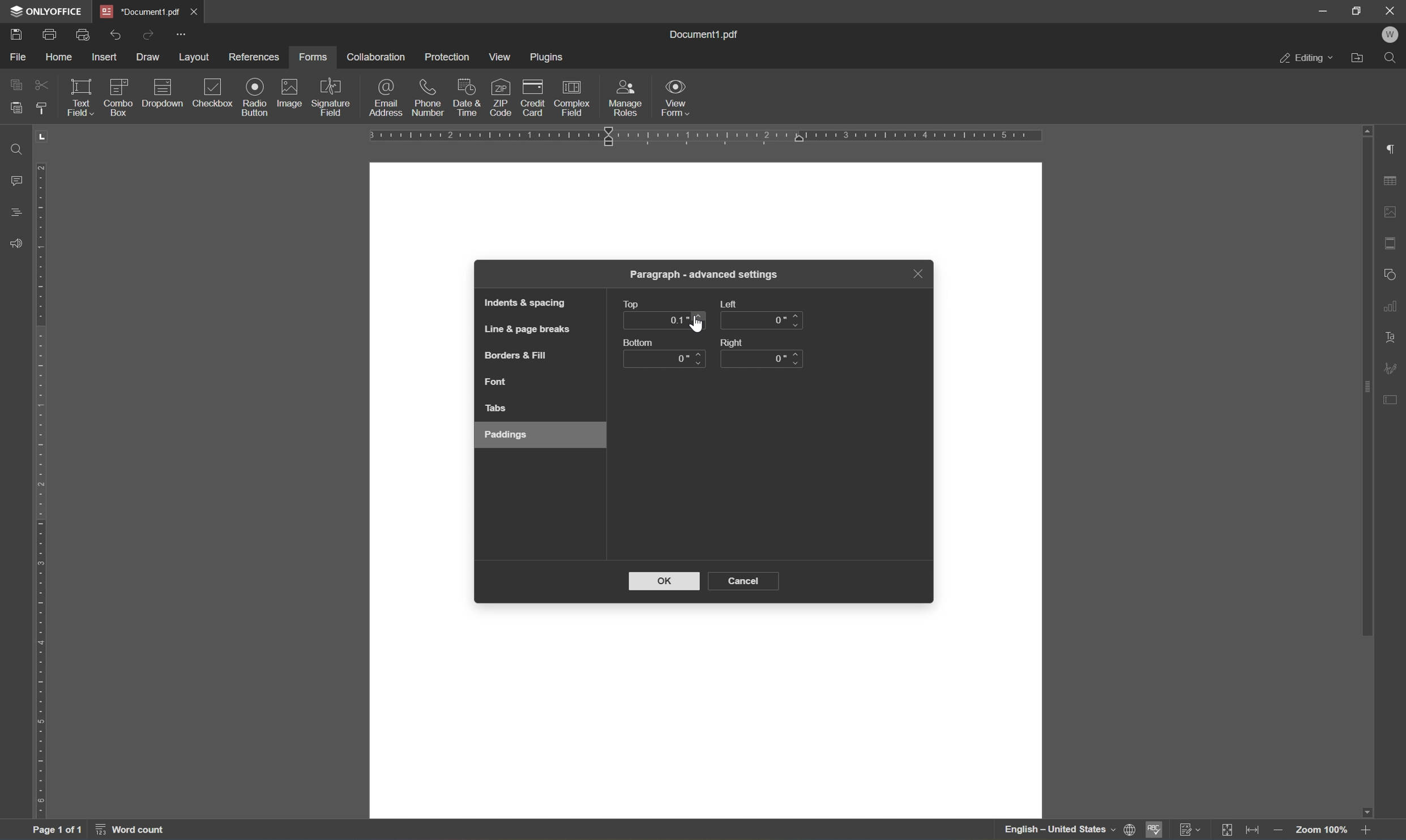  I want to click on 0, so click(683, 362).